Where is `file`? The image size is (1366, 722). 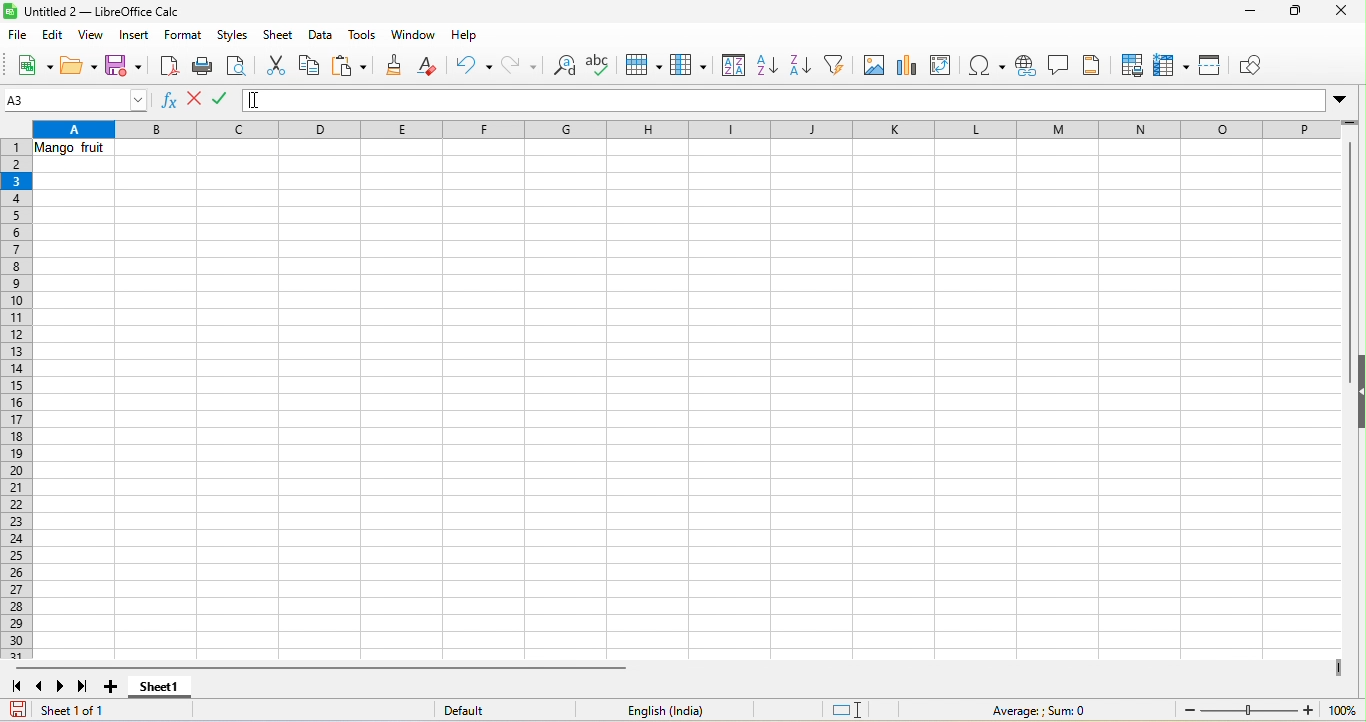
file is located at coordinates (19, 34).